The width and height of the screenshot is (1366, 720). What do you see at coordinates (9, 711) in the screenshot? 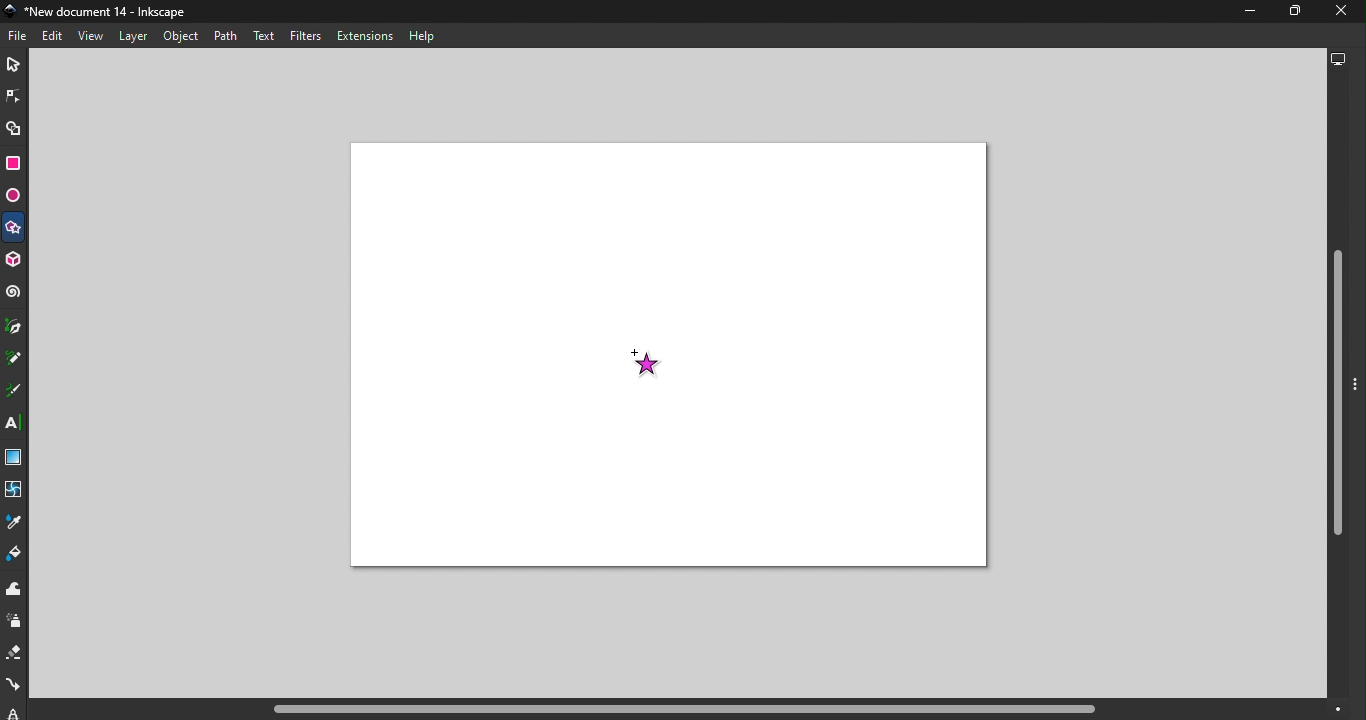
I see `lpe` at bounding box center [9, 711].